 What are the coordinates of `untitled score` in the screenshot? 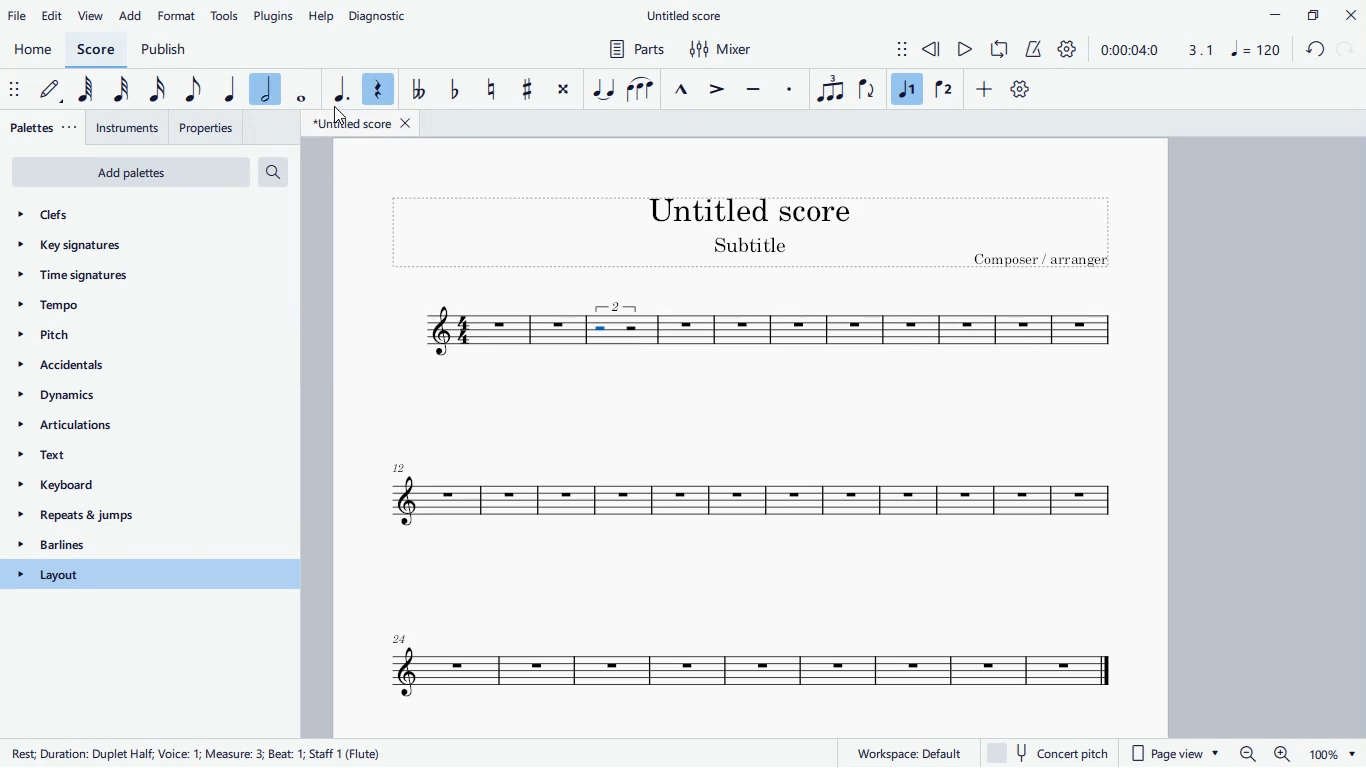 It's located at (364, 123).